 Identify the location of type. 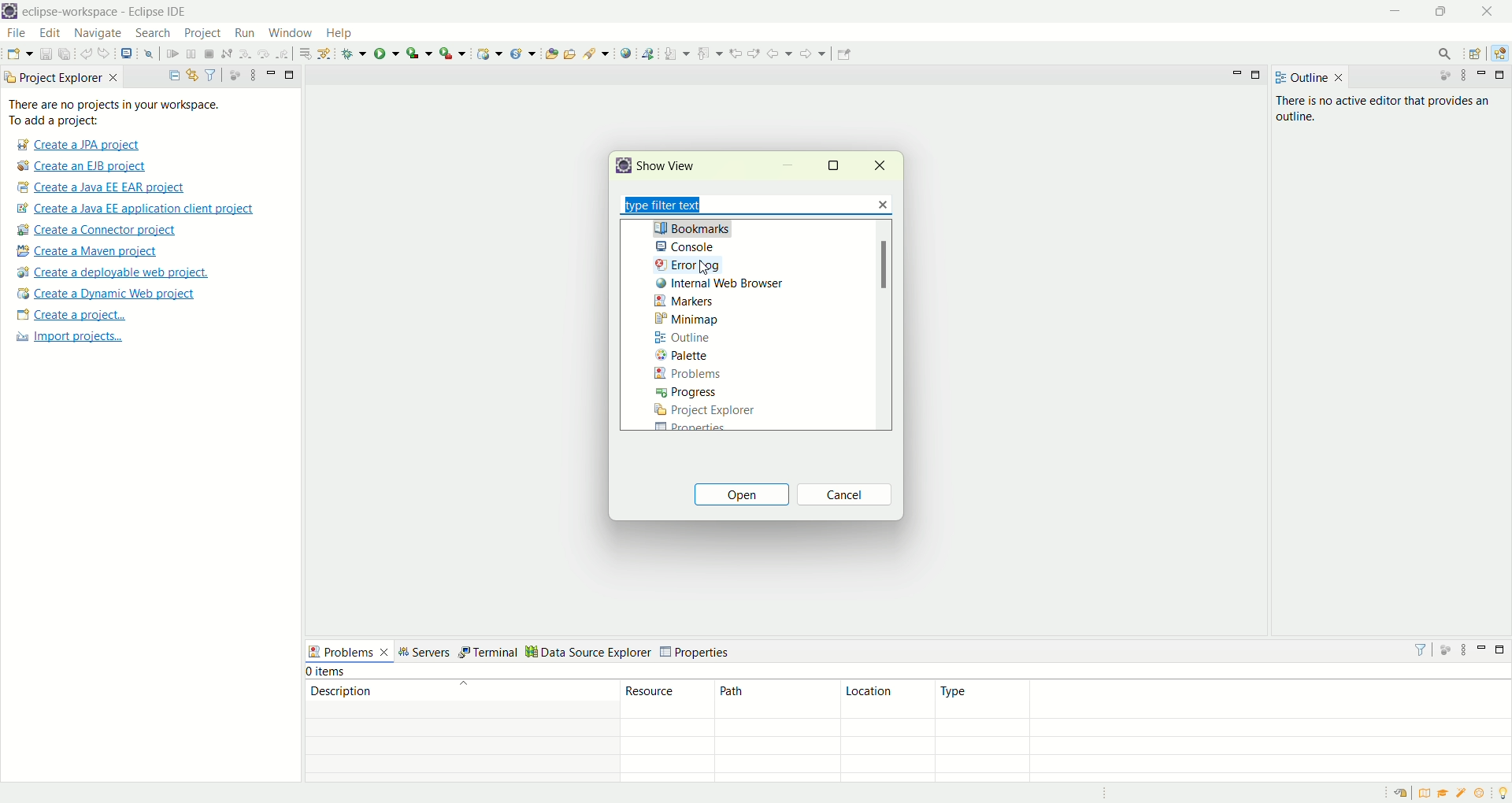
(982, 700).